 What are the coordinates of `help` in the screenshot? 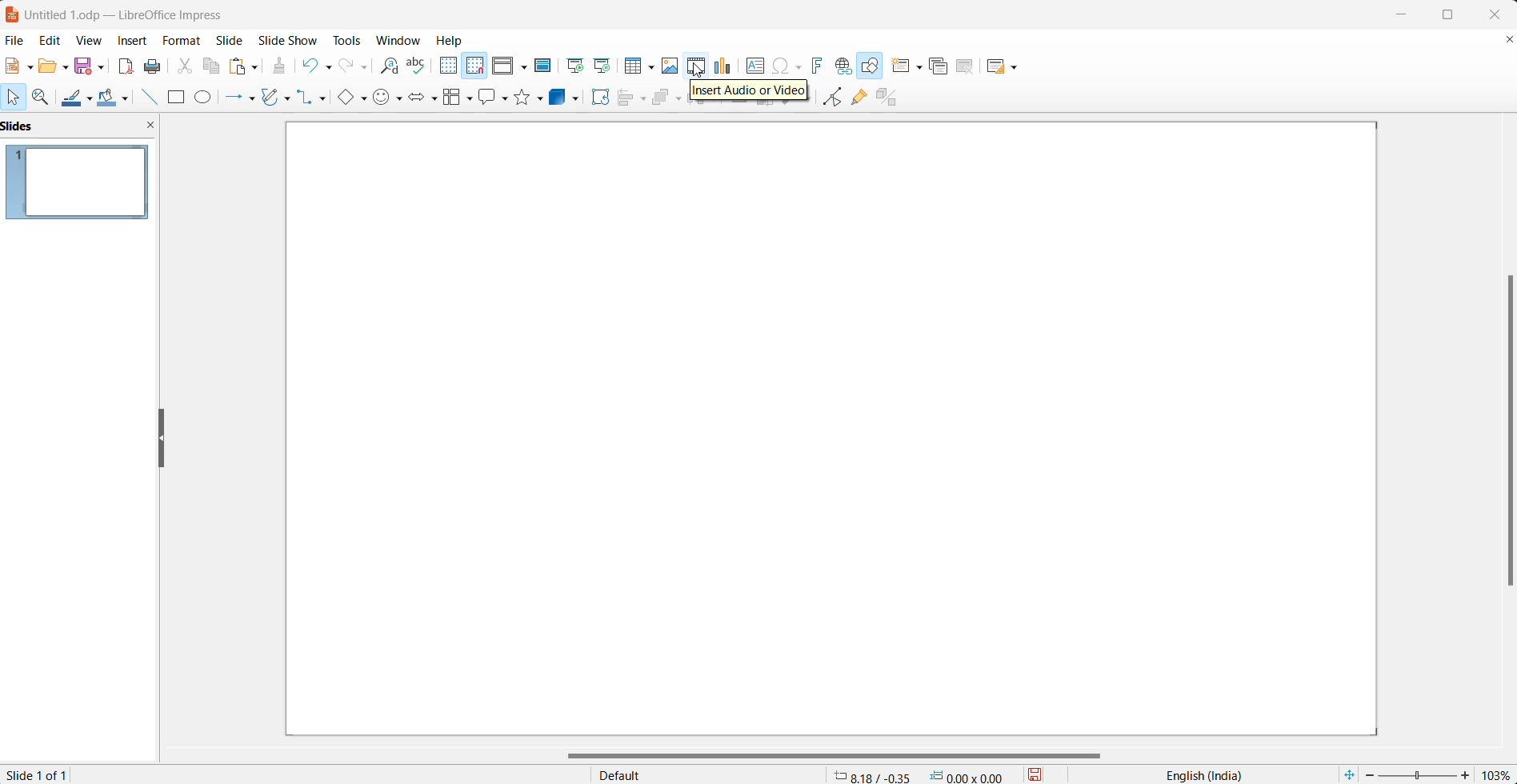 It's located at (448, 40).